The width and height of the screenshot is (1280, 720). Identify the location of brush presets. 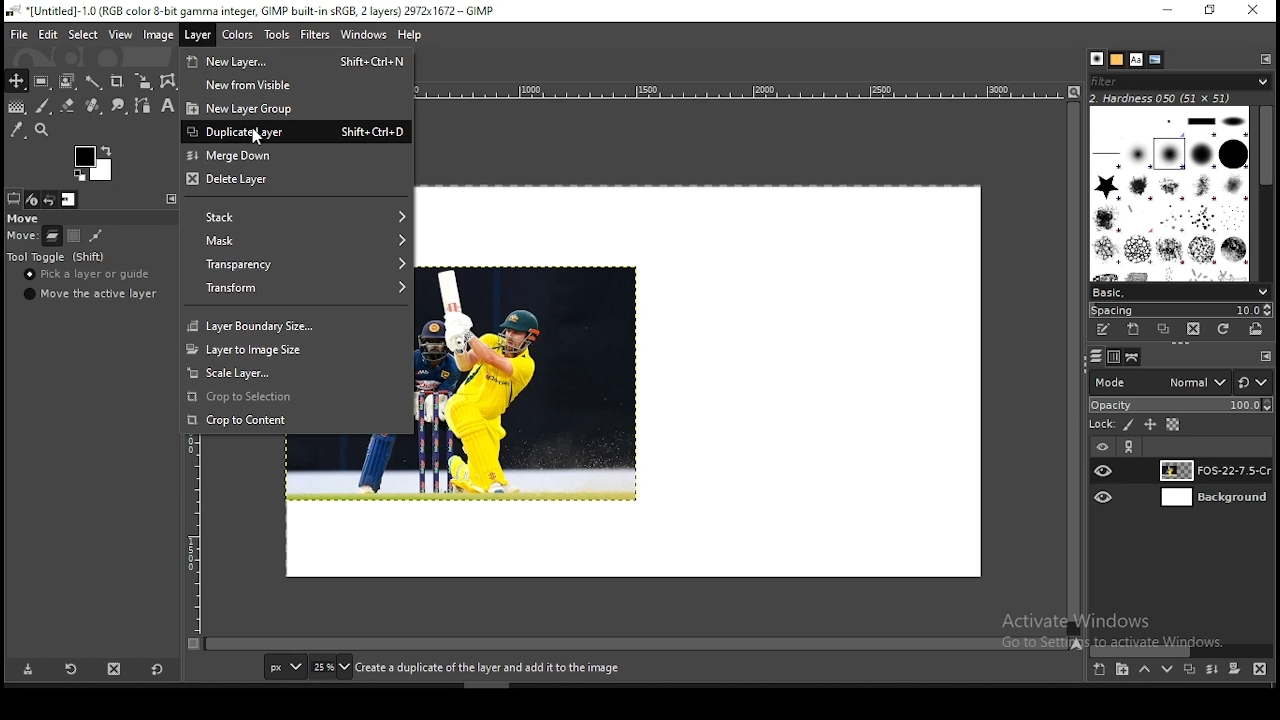
(1180, 291).